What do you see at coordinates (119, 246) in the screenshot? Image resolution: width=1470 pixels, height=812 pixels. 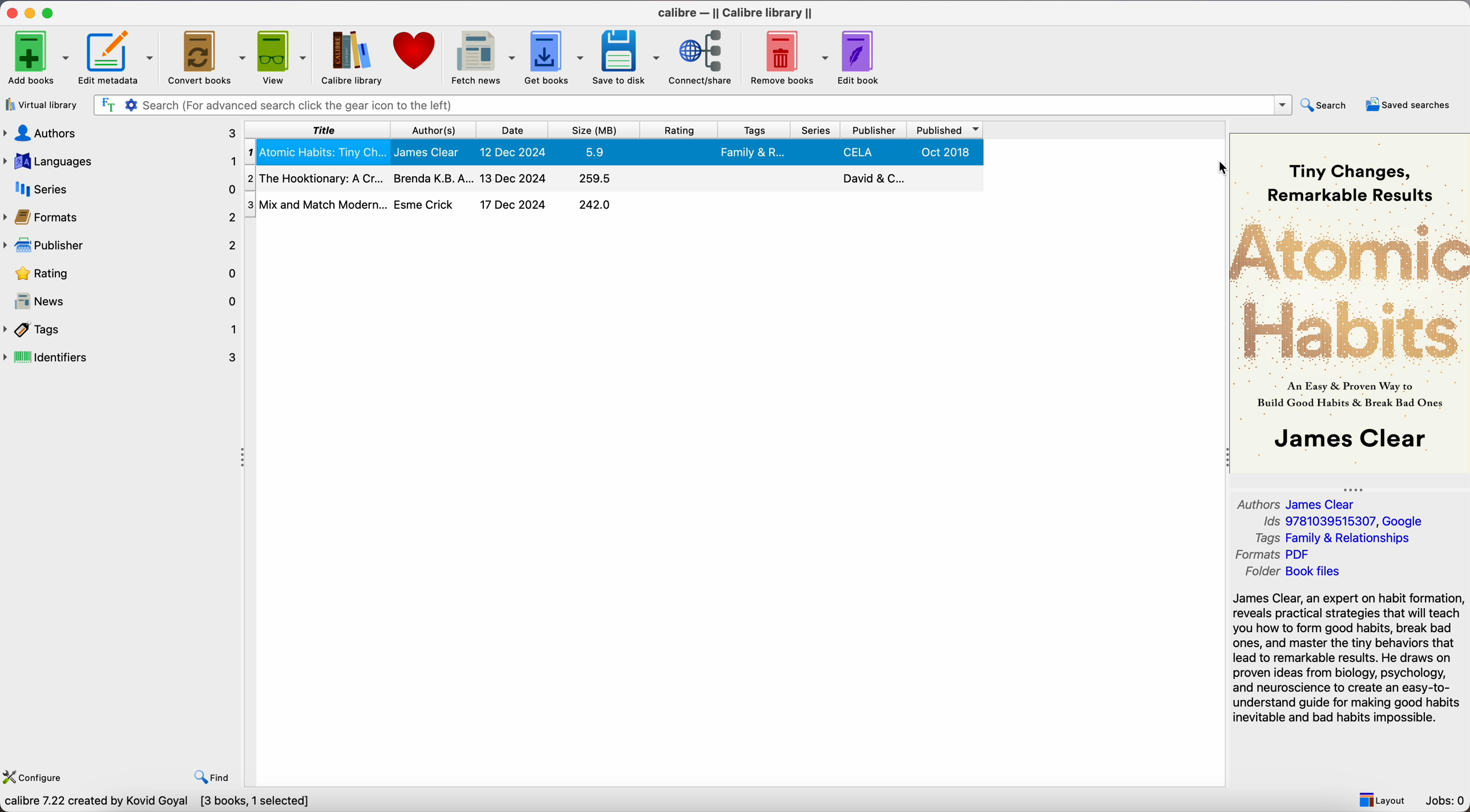 I see `publisher` at bounding box center [119, 246].